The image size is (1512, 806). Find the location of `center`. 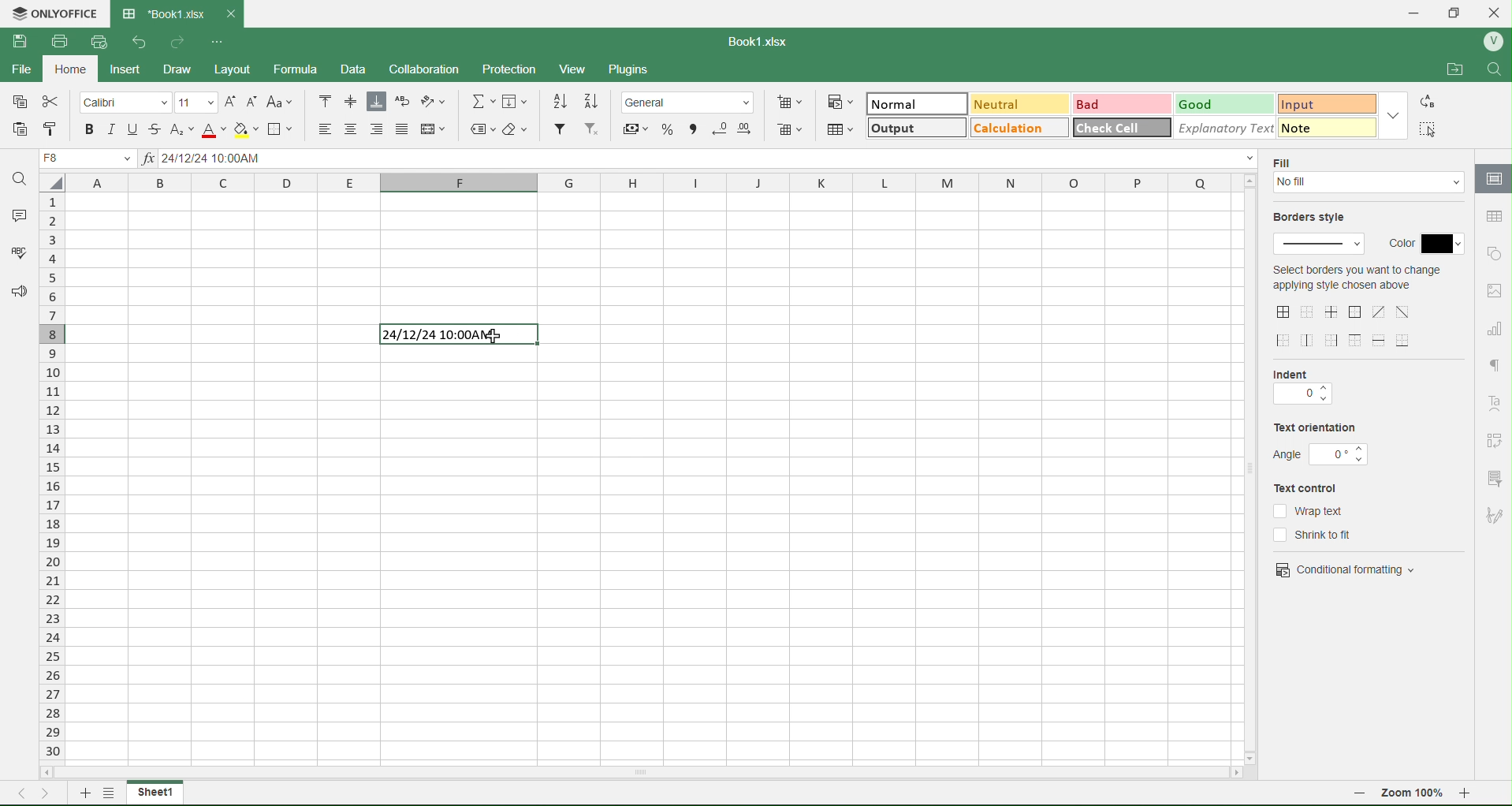

center is located at coordinates (1403, 311).